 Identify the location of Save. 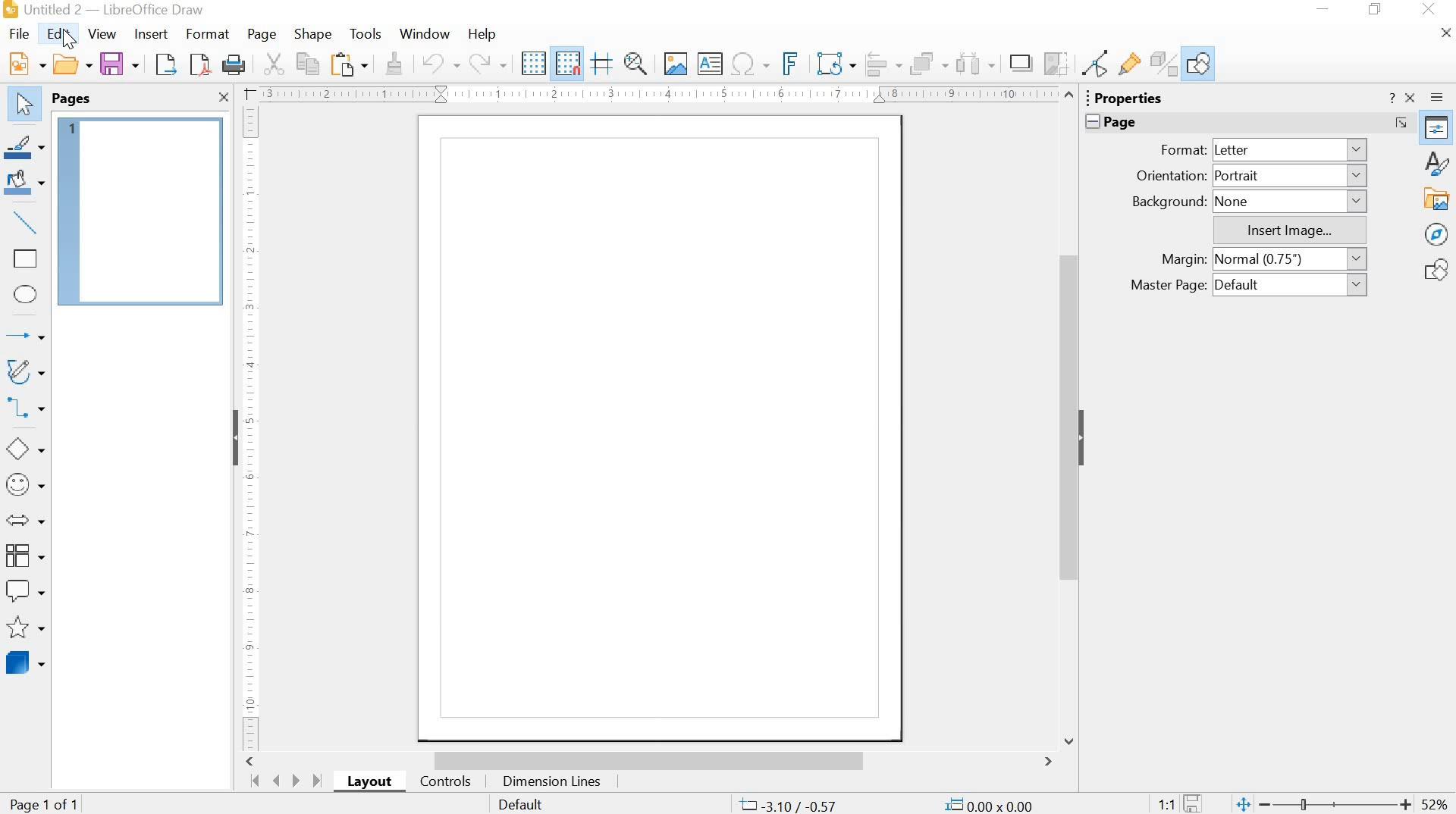
(119, 63).